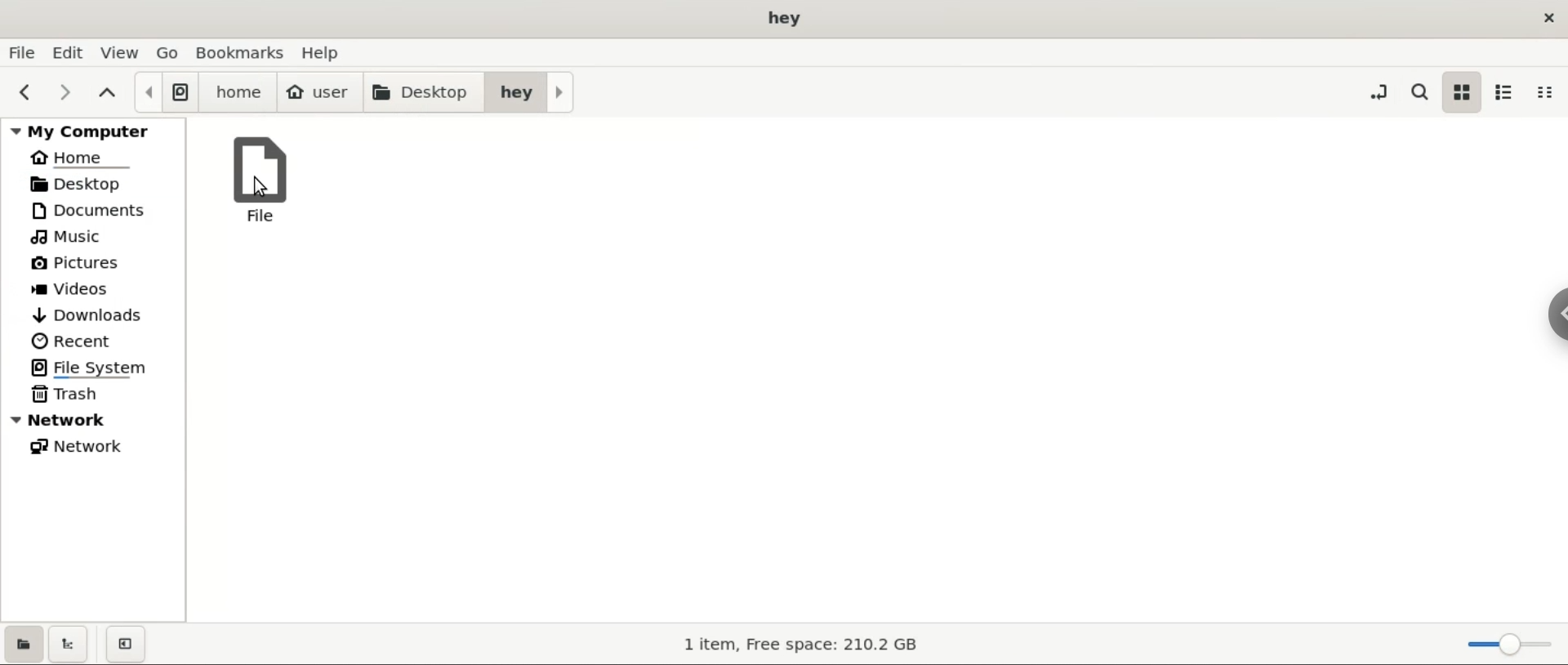 Image resolution: width=1568 pixels, height=665 pixels. What do you see at coordinates (93, 289) in the screenshot?
I see `videos` at bounding box center [93, 289].